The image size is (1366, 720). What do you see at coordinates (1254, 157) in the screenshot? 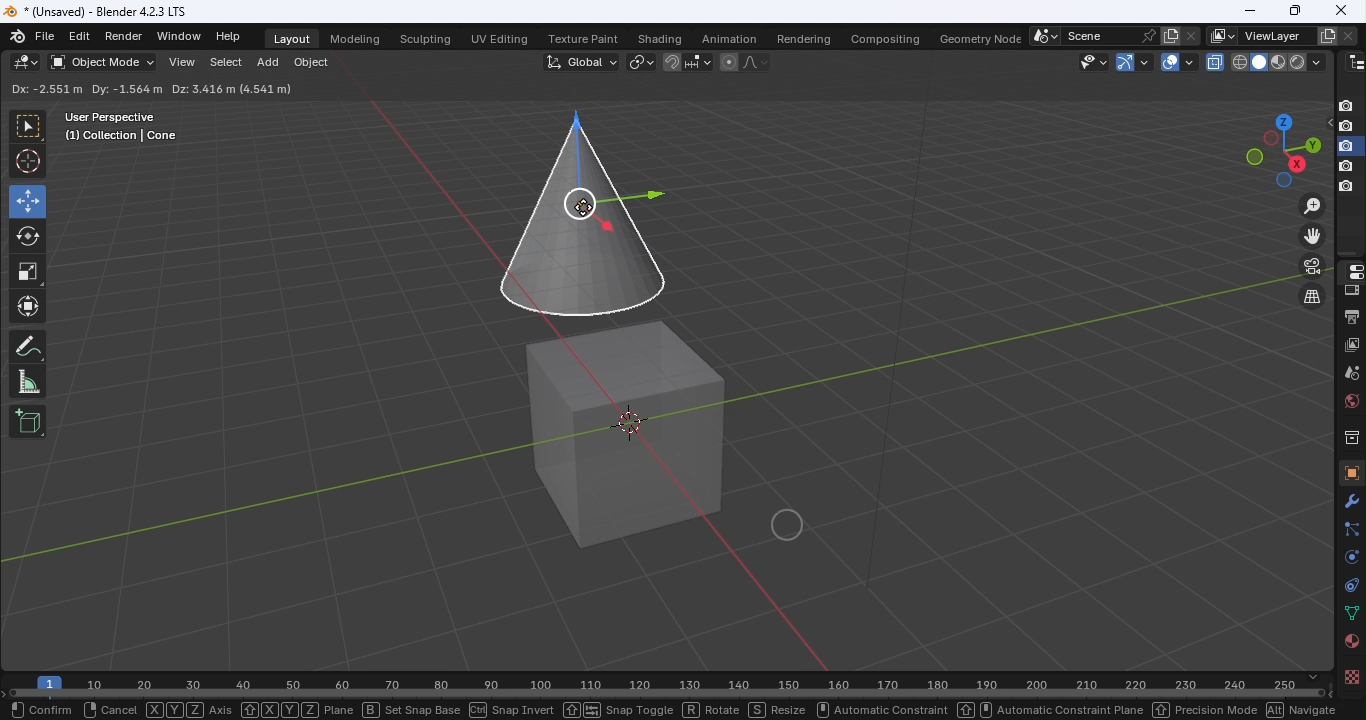
I see `Rotate the view` at bounding box center [1254, 157].